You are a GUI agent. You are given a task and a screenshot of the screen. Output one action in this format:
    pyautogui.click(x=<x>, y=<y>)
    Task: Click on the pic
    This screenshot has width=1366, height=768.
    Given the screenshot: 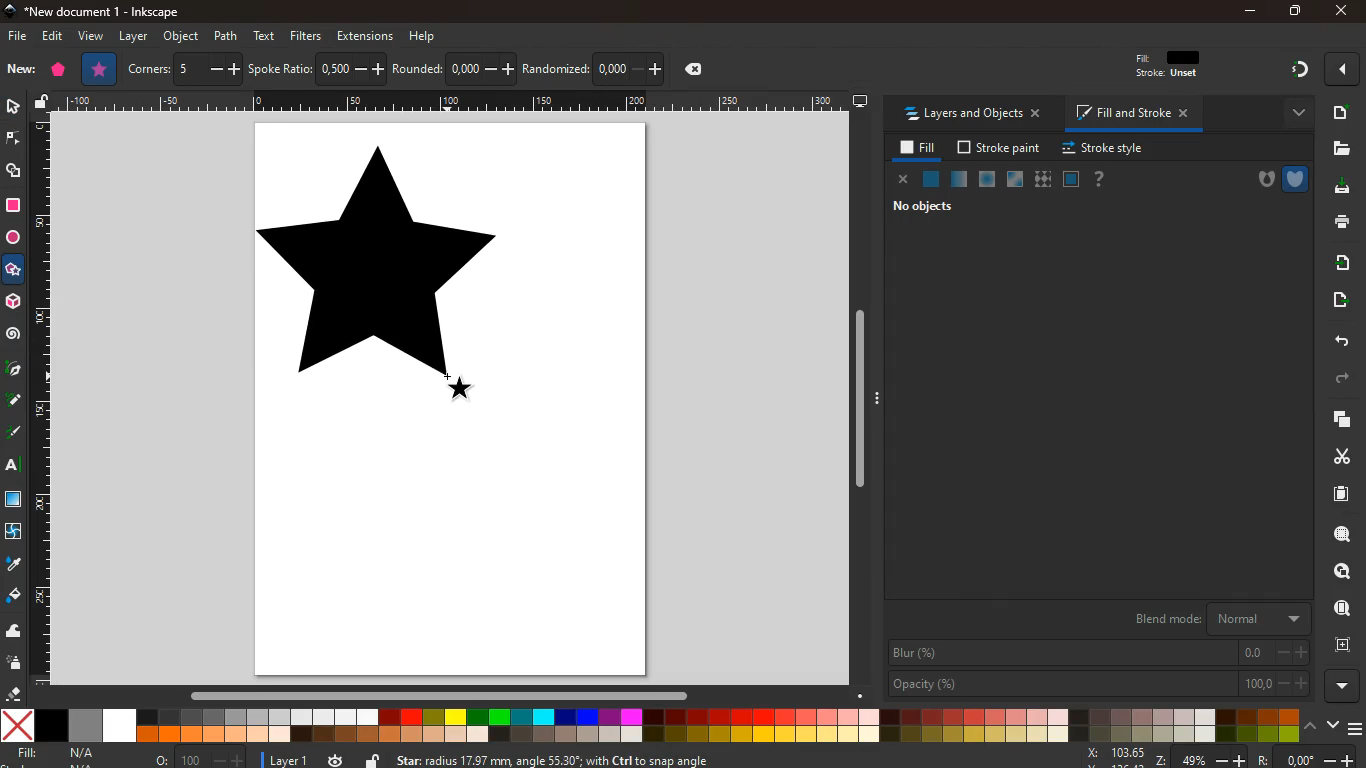 What is the action you would take?
    pyautogui.click(x=12, y=371)
    